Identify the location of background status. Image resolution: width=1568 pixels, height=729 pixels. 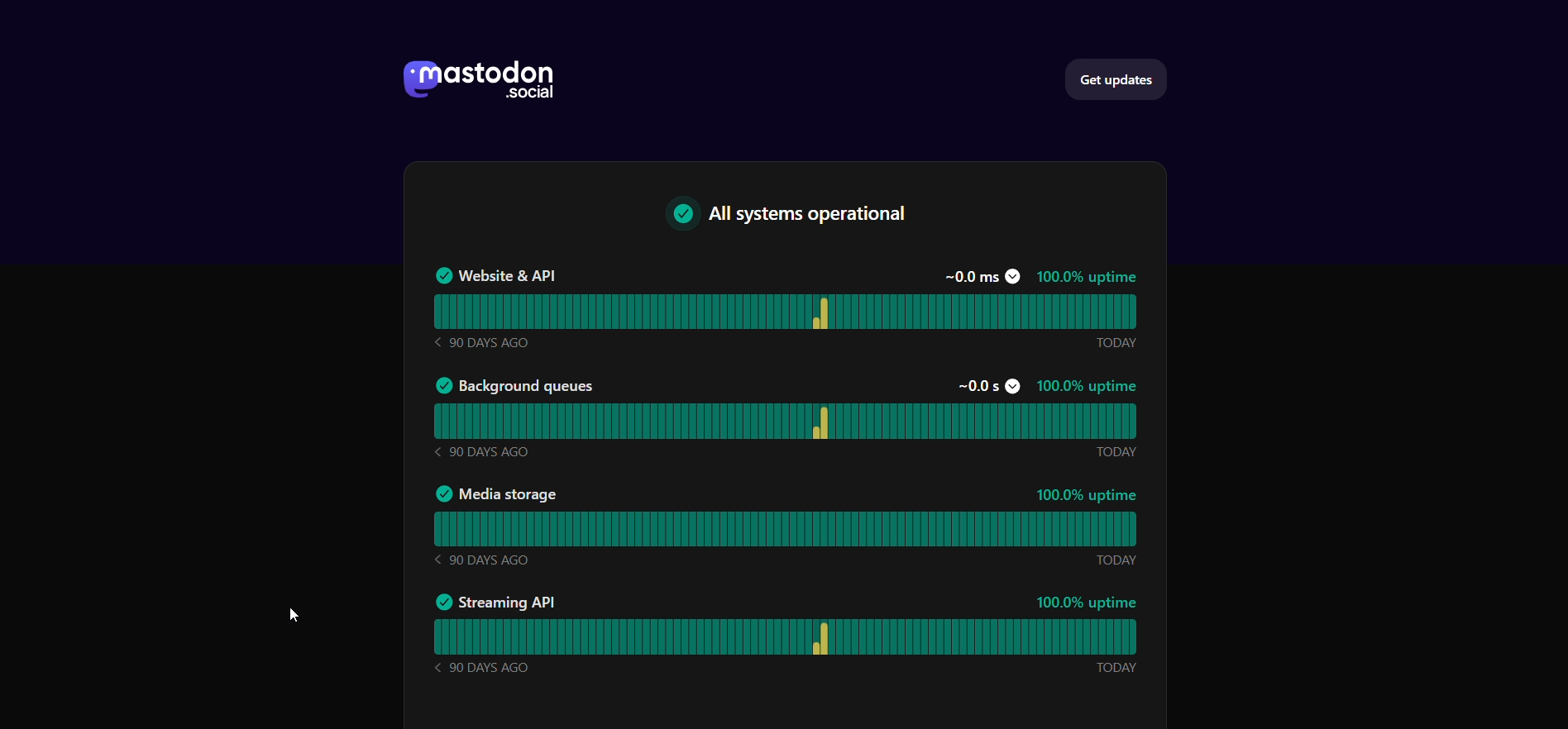
(785, 416).